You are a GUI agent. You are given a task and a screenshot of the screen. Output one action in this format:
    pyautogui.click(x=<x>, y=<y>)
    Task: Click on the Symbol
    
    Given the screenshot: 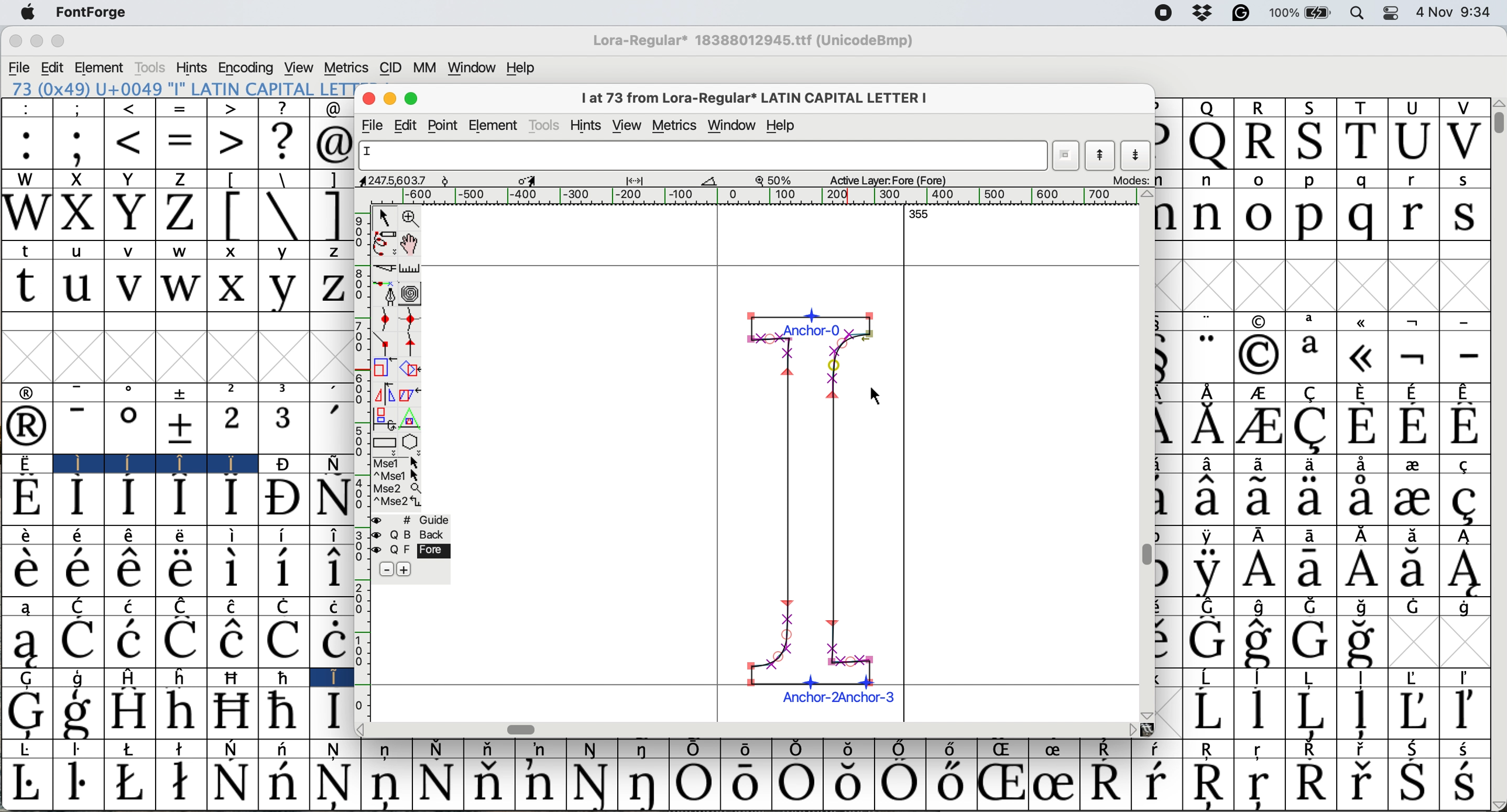 What is the action you would take?
    pyautogui.click(x=1266, y=536)
    